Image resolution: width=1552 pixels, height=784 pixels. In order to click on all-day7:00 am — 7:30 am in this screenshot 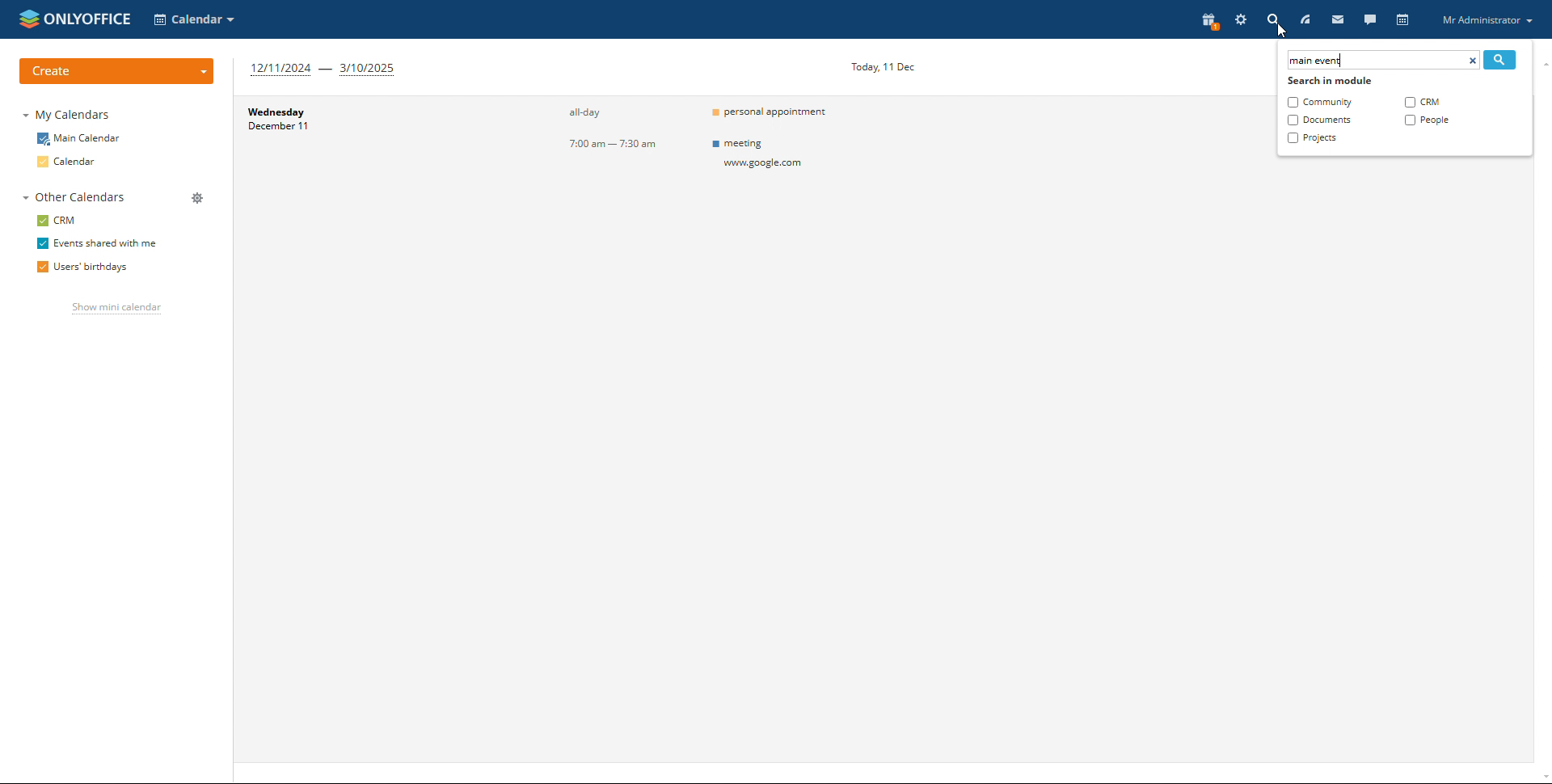, I will do `click(588, 158)`.